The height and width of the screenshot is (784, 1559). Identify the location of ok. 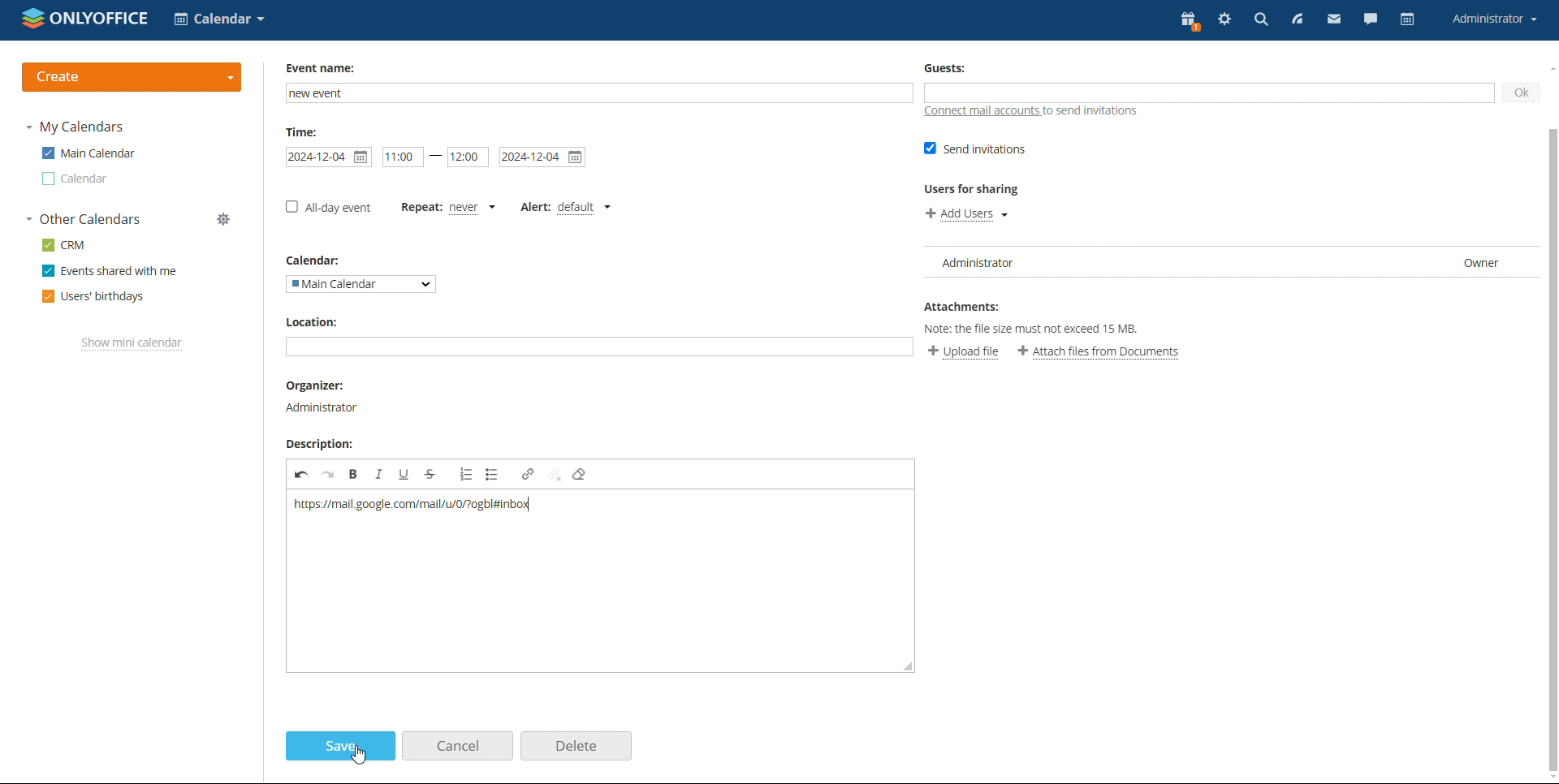
(1524, 92).